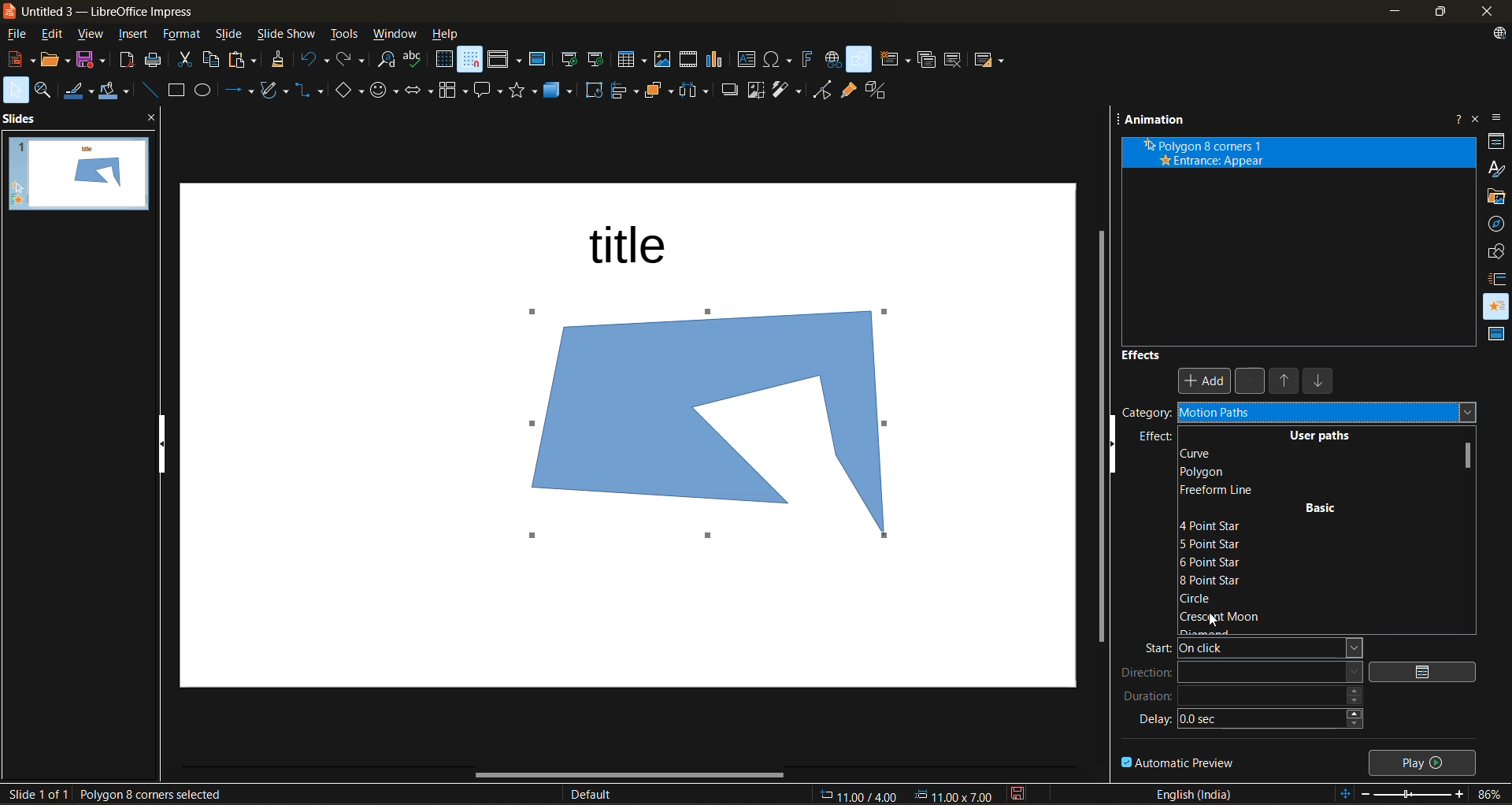  I want to click on move down, so click(1318, 384).